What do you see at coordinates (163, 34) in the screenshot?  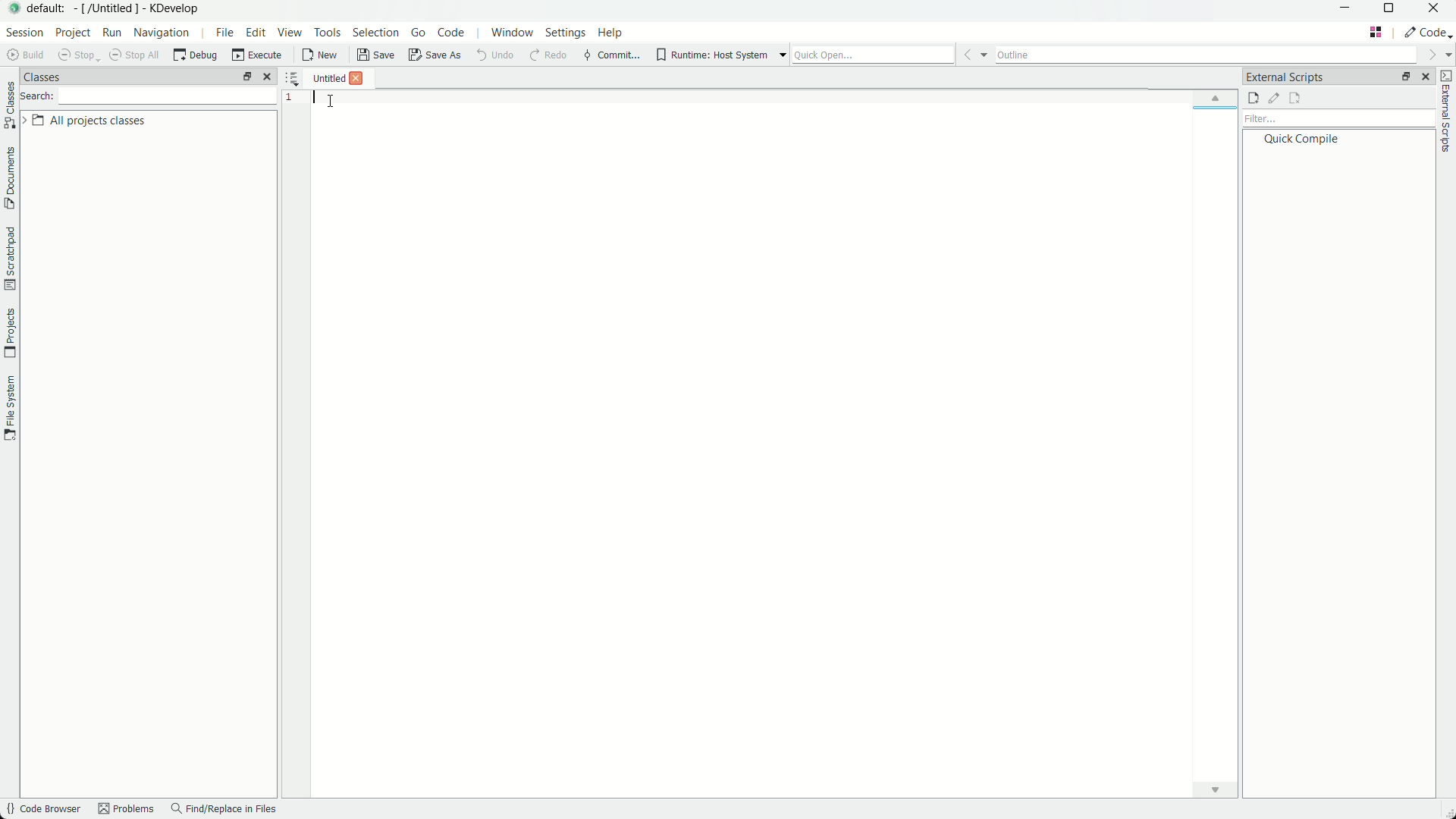 I see `navigation` at bounding box center [163, 34].